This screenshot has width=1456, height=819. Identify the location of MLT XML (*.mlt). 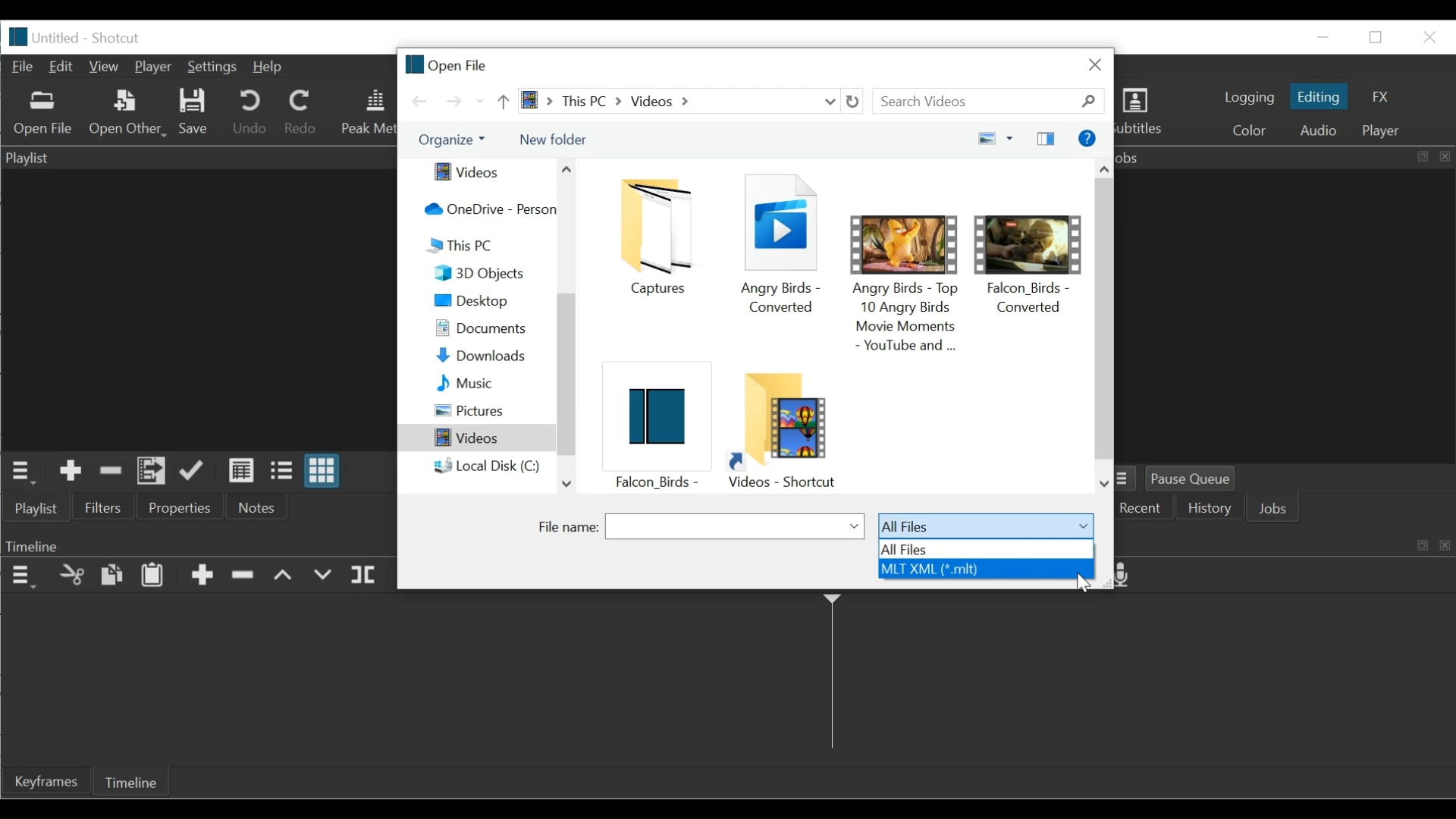
(986, 570).